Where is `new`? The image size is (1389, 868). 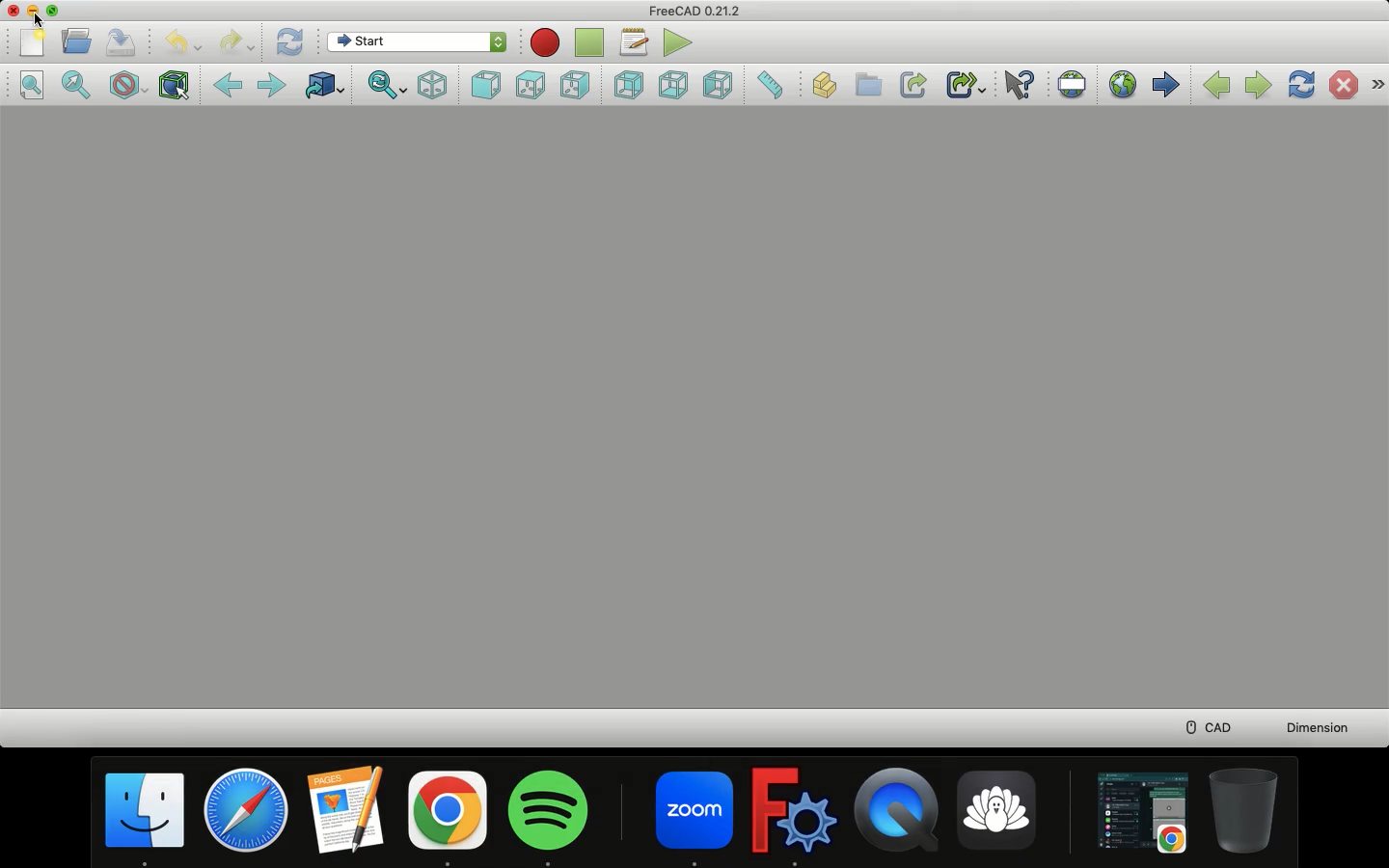 new is located at coordinates (32, 44).